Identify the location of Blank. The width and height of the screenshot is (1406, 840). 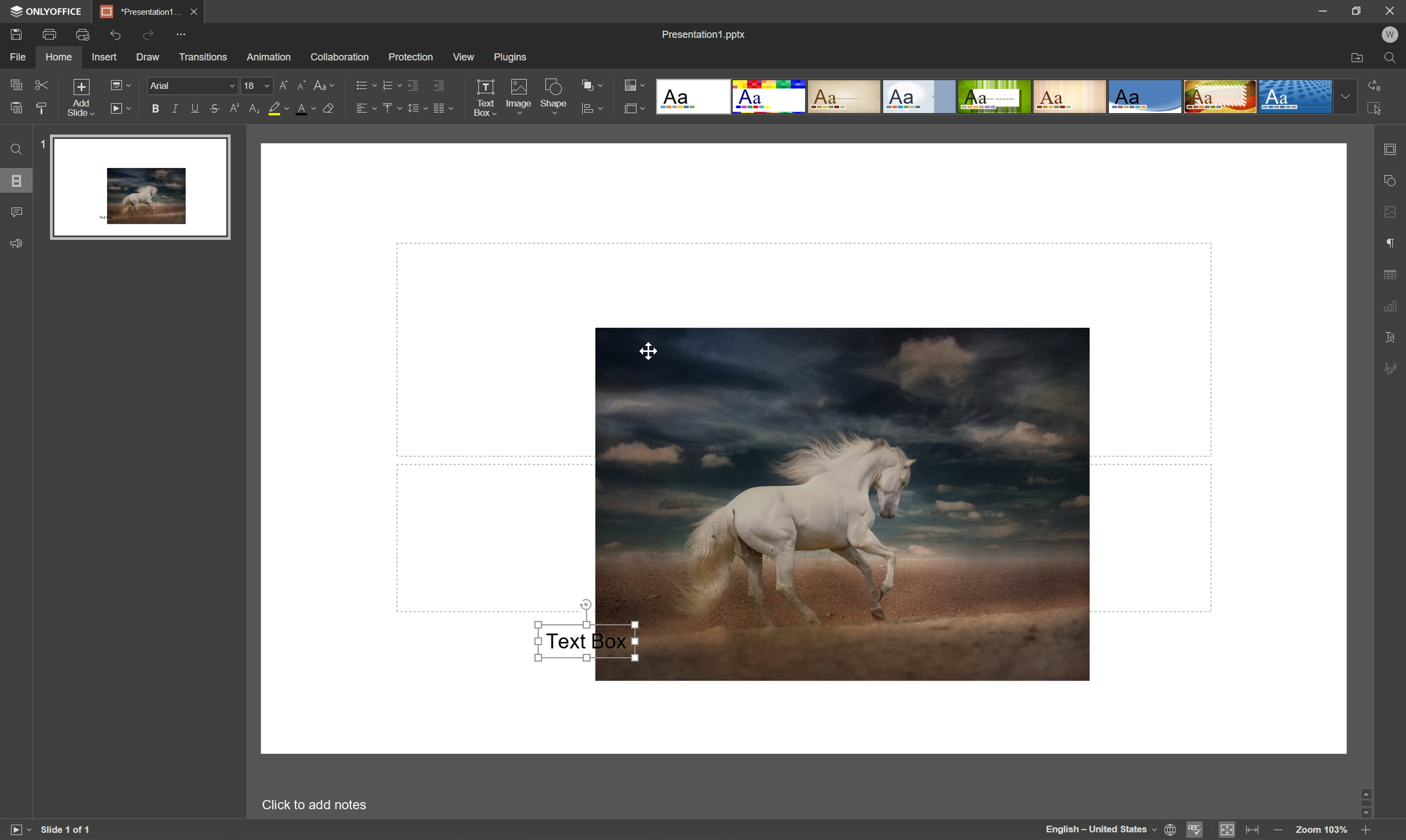
(695, 97).